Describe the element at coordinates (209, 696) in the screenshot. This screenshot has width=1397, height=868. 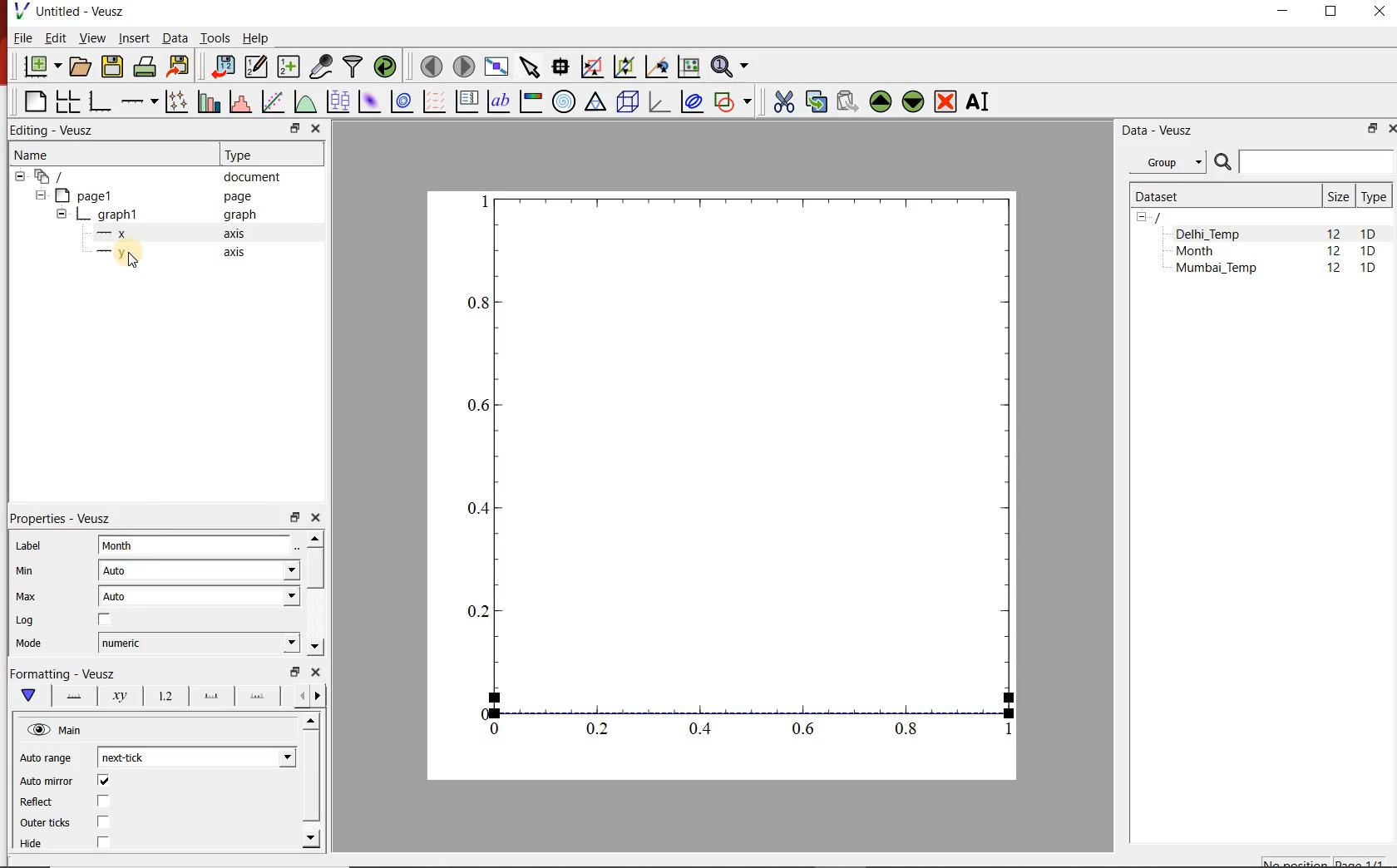
I see `major ticks` at that location.